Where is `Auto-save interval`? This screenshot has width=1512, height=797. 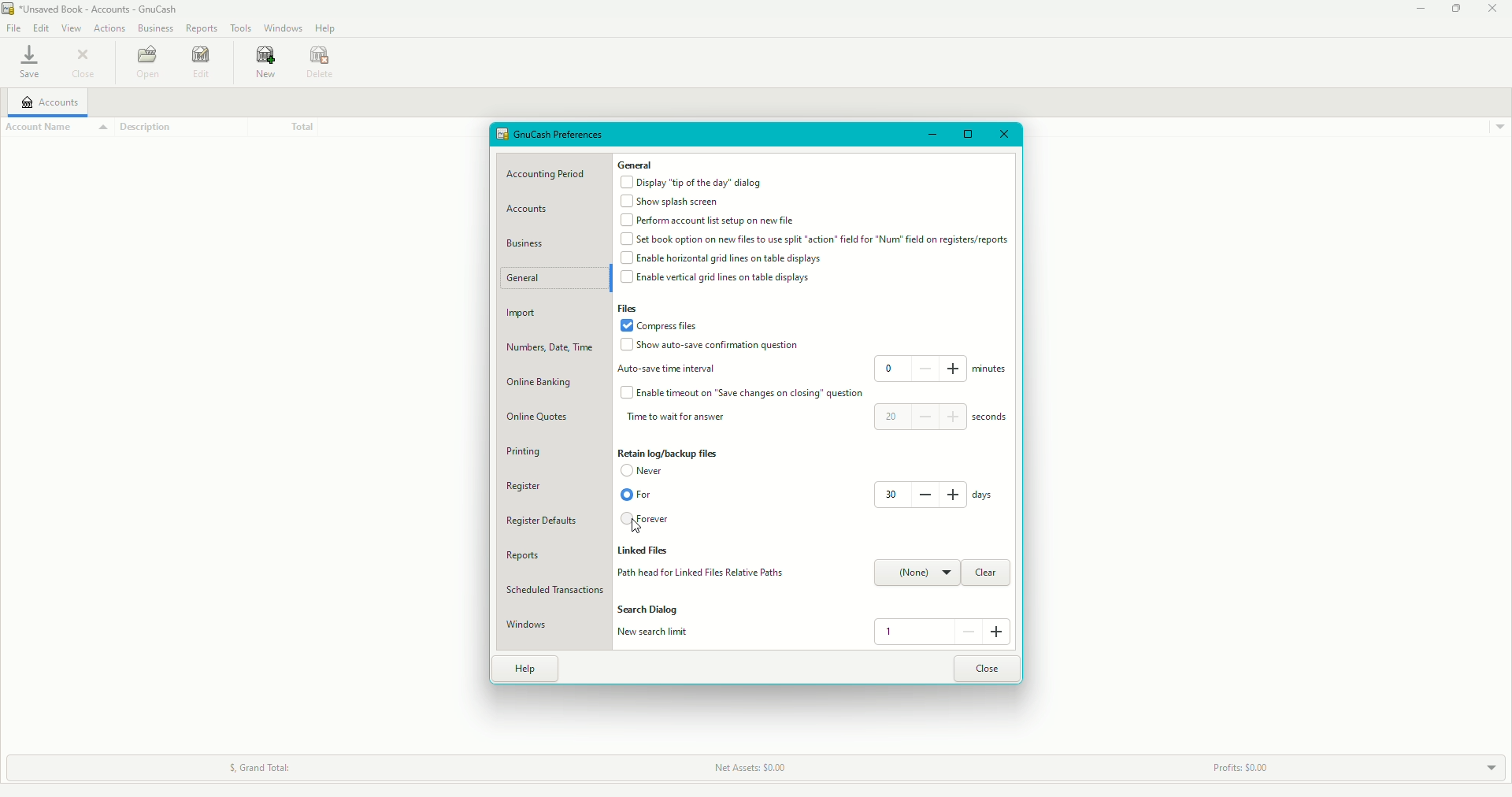 Auto-save interval is located at coordinates (670, 369).